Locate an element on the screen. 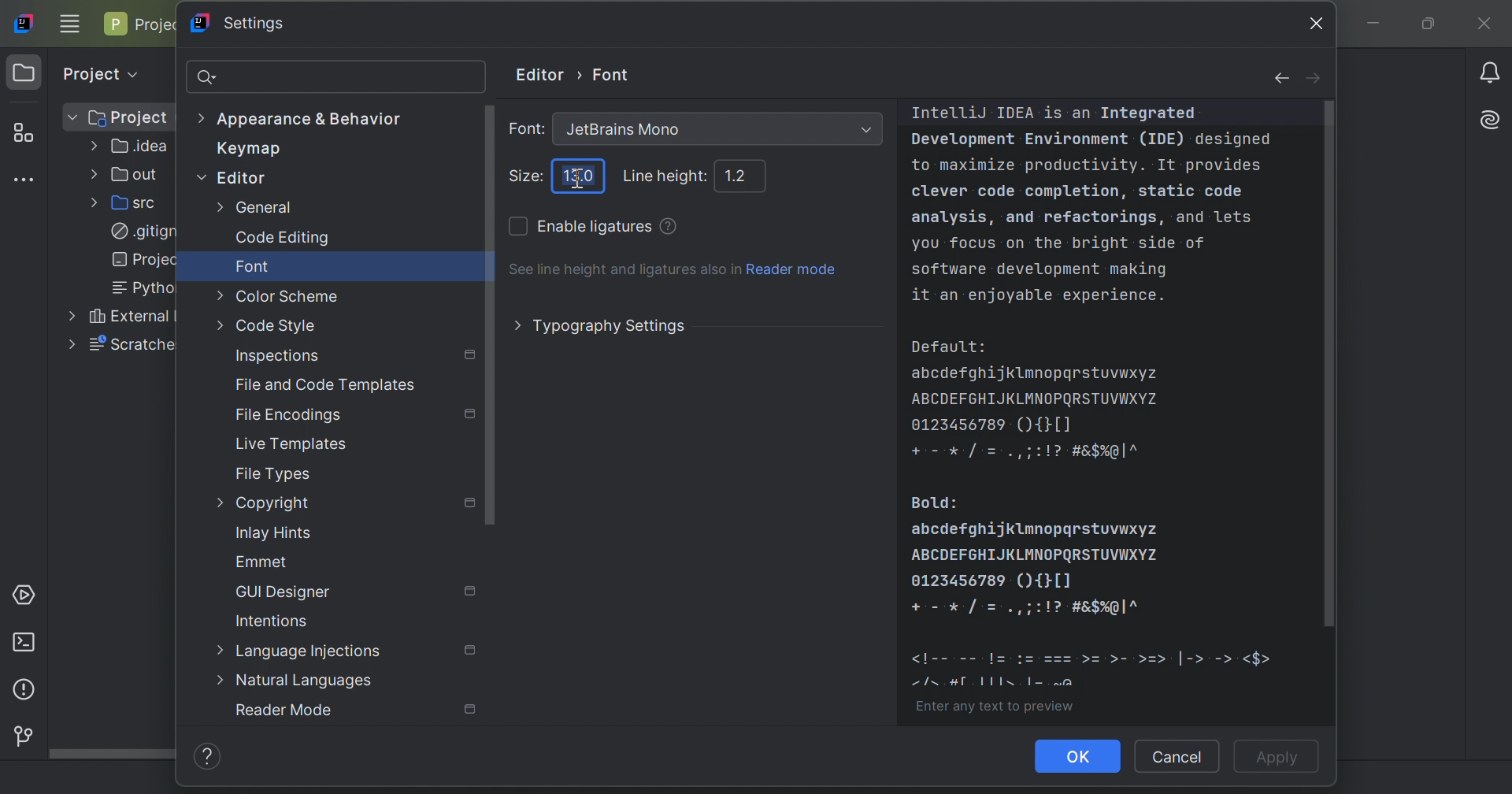  Font is located at coordinates (614, 72).